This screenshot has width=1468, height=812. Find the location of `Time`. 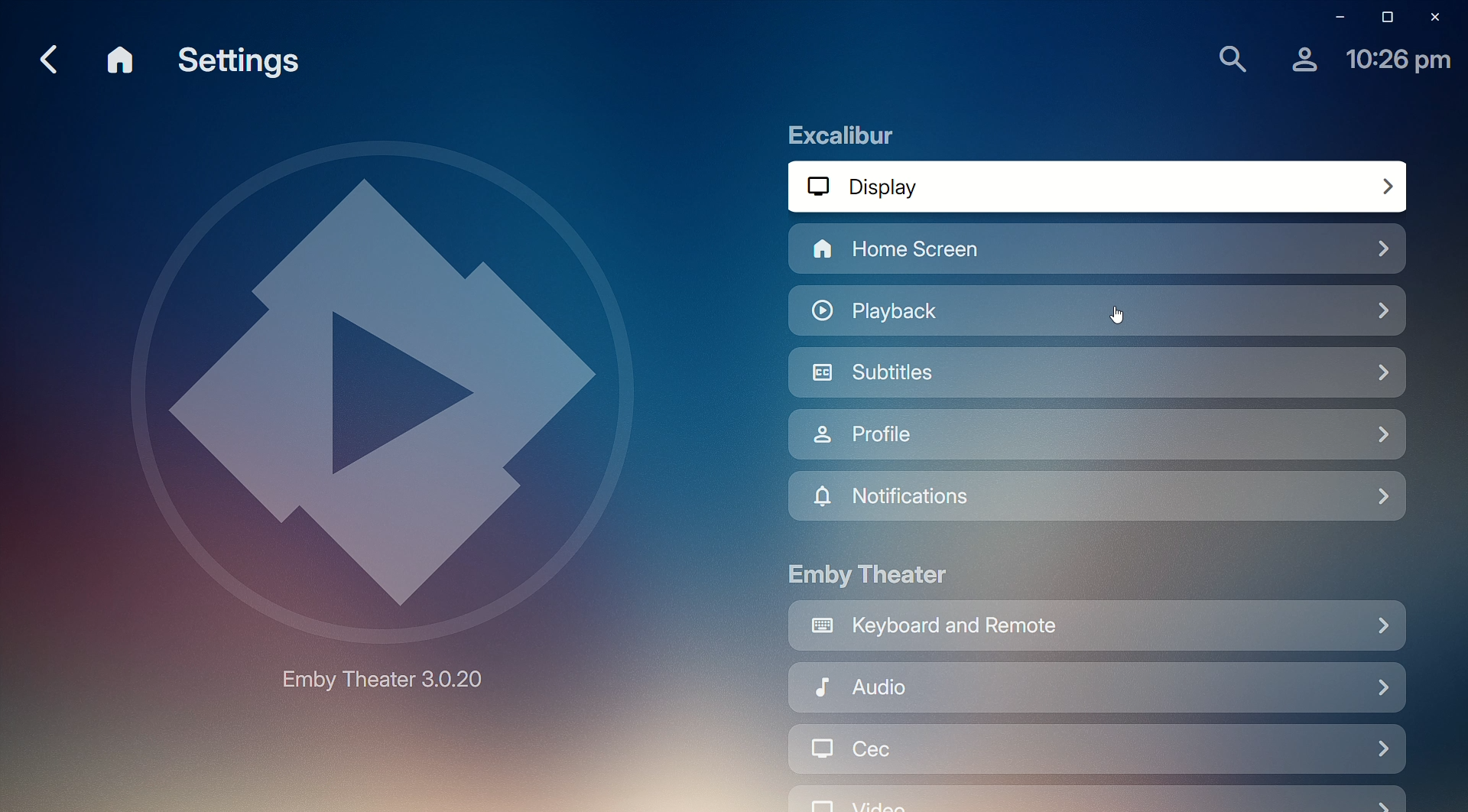

Time is located at coordinates (1400, 61).